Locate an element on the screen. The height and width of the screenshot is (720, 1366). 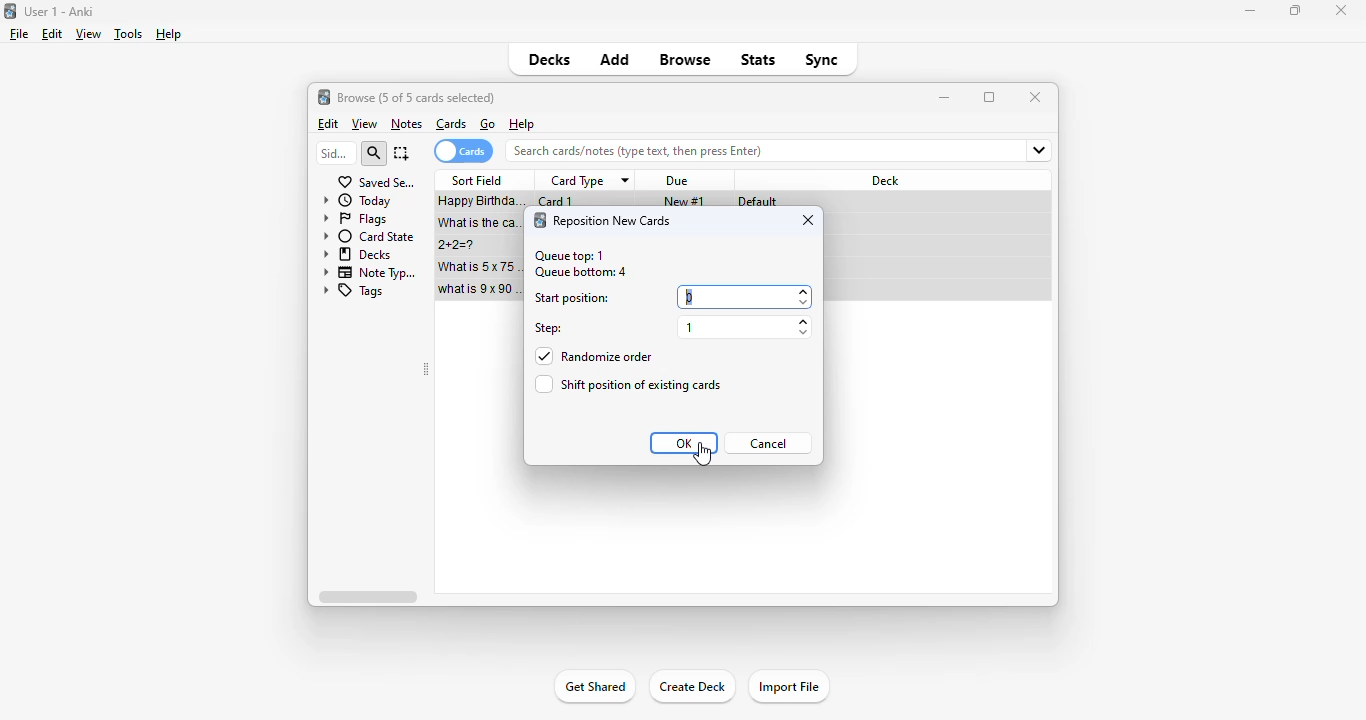
browse is located at coordinates (685, 59).